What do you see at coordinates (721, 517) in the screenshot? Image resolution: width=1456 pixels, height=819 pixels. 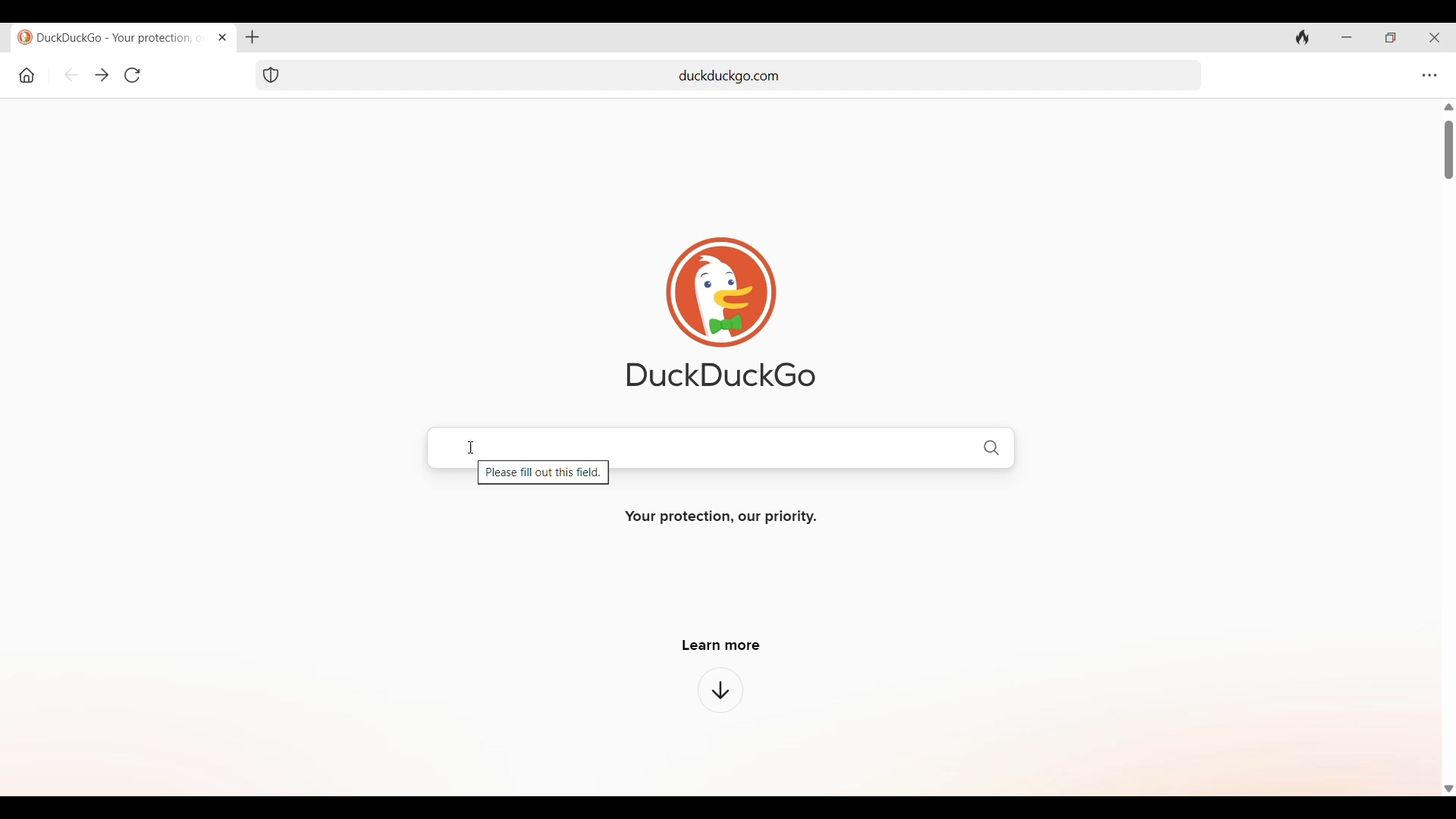 I see `Your protection, our priority.` at bounding box center [721, 517].